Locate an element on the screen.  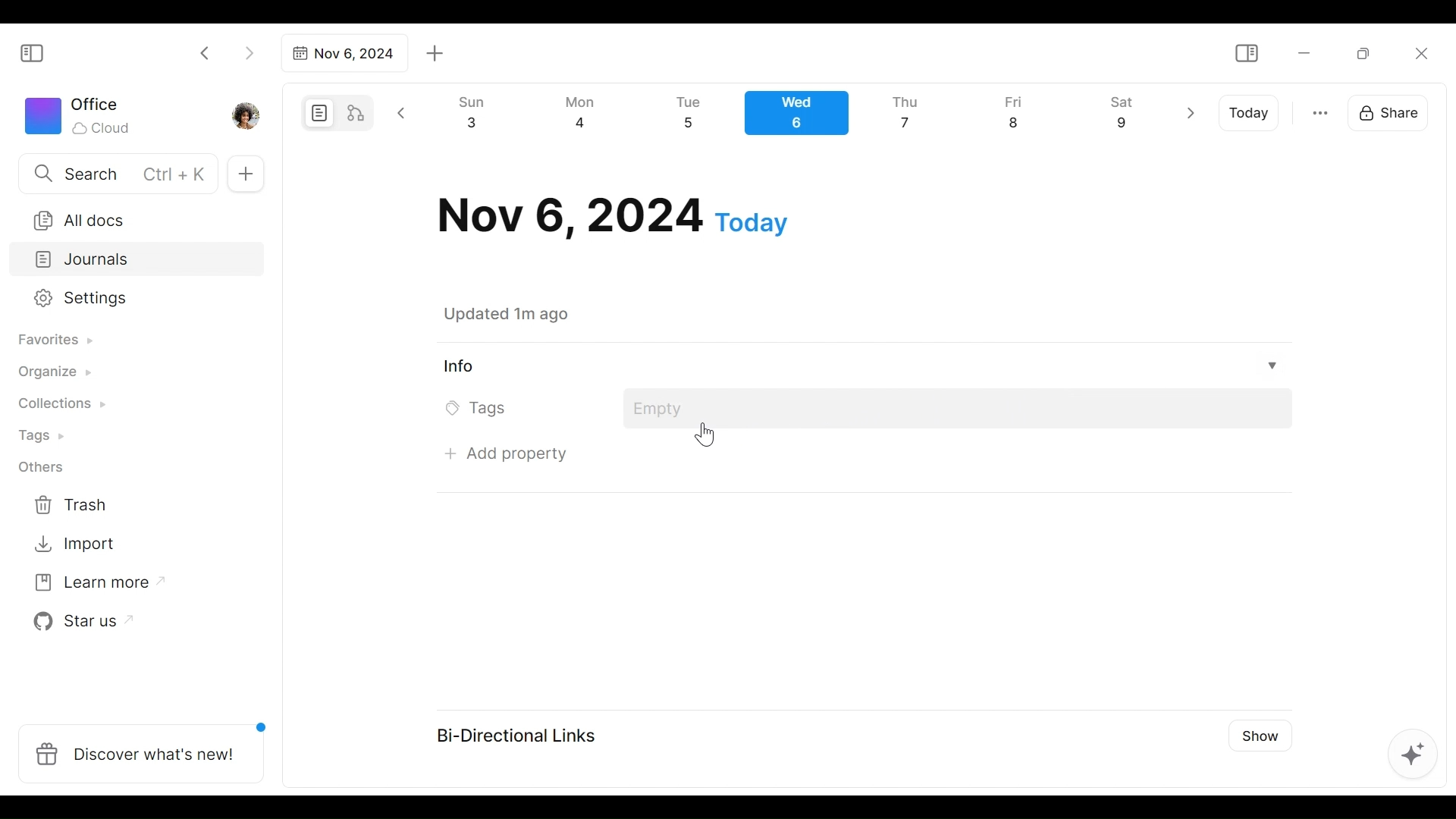
Tags is located at coordinates (43, 438).